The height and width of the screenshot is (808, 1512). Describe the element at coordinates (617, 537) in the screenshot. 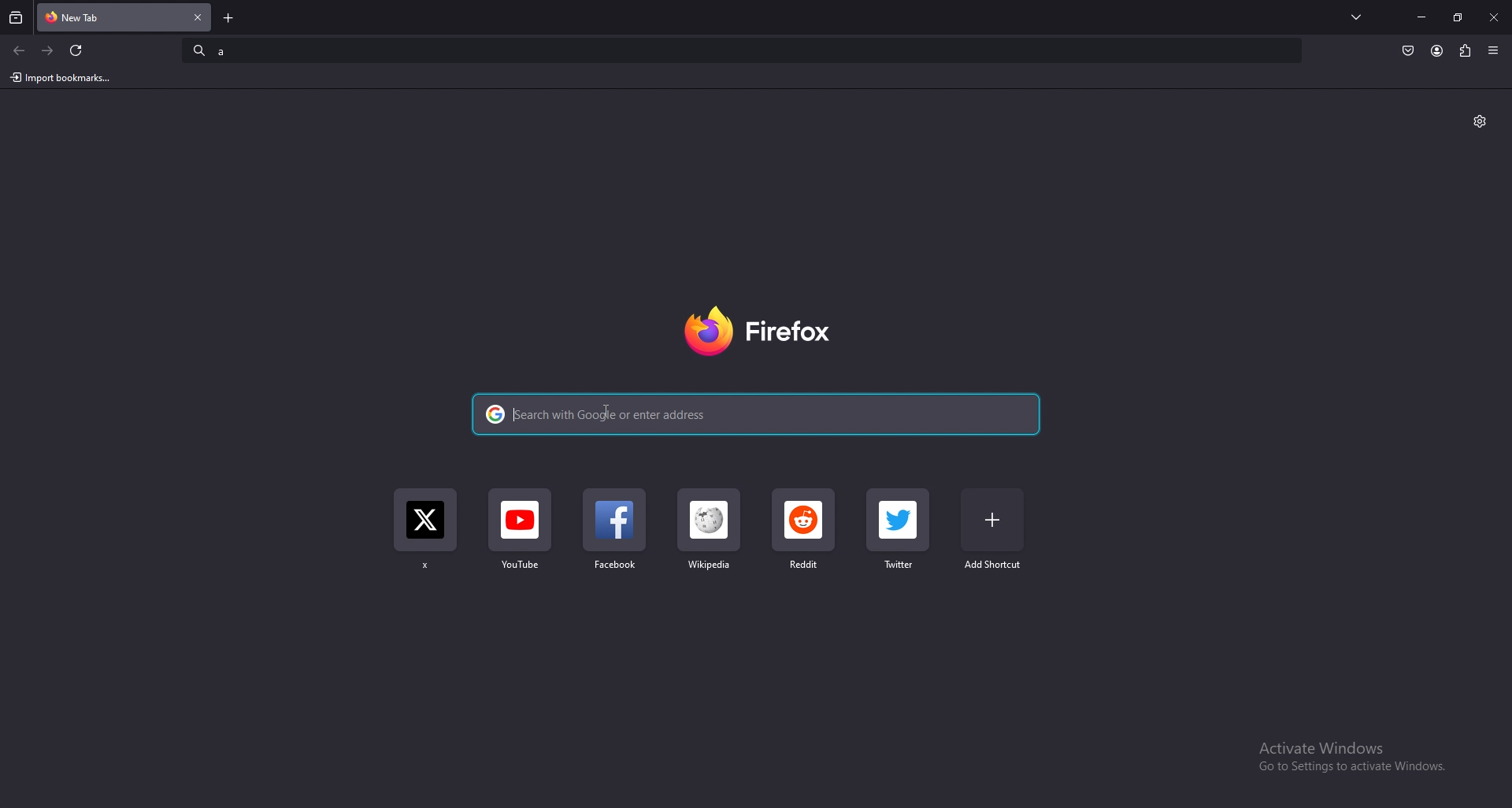

I see `facebook` at that location.